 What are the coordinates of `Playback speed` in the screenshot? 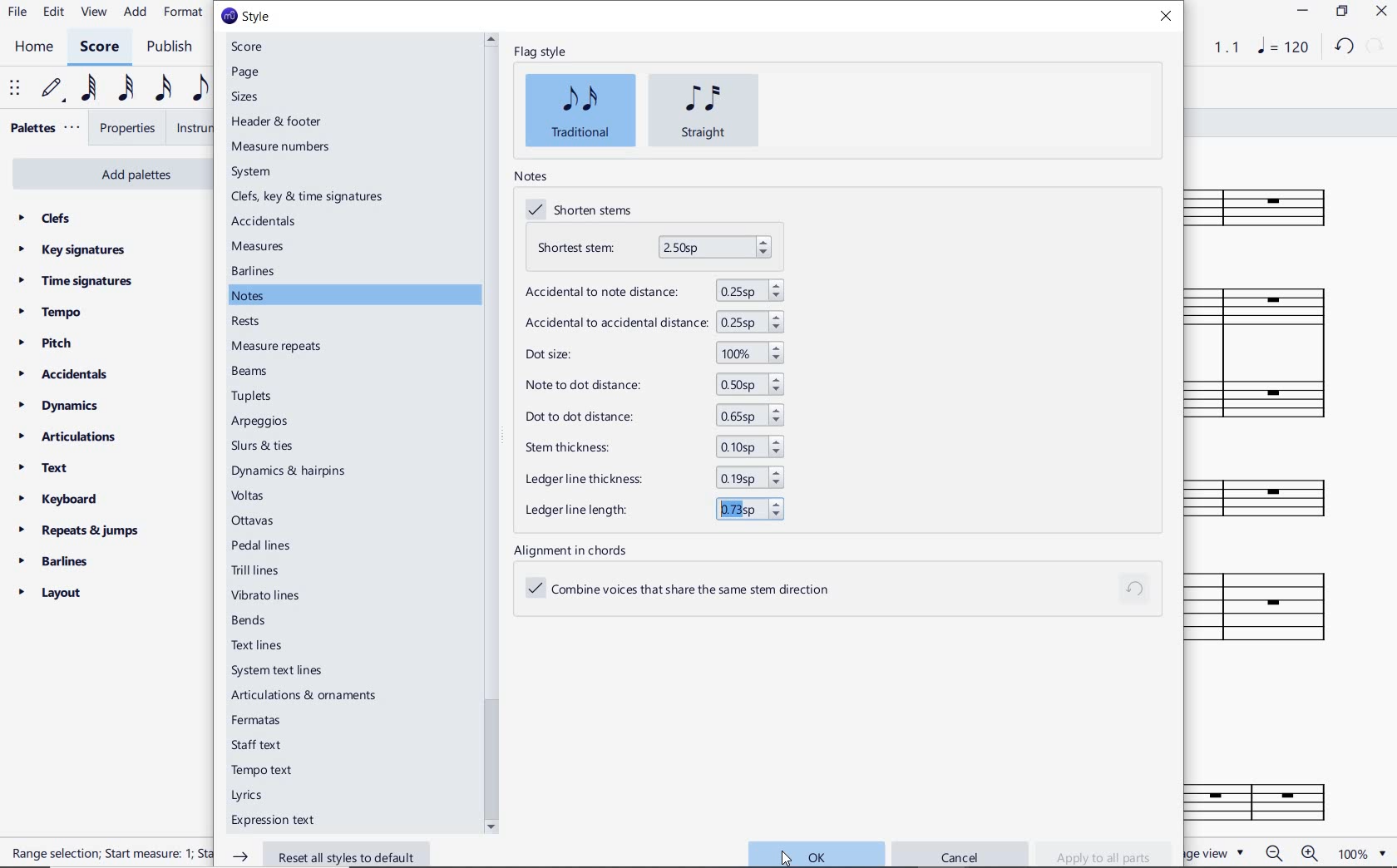 It's located at (1228, 47).